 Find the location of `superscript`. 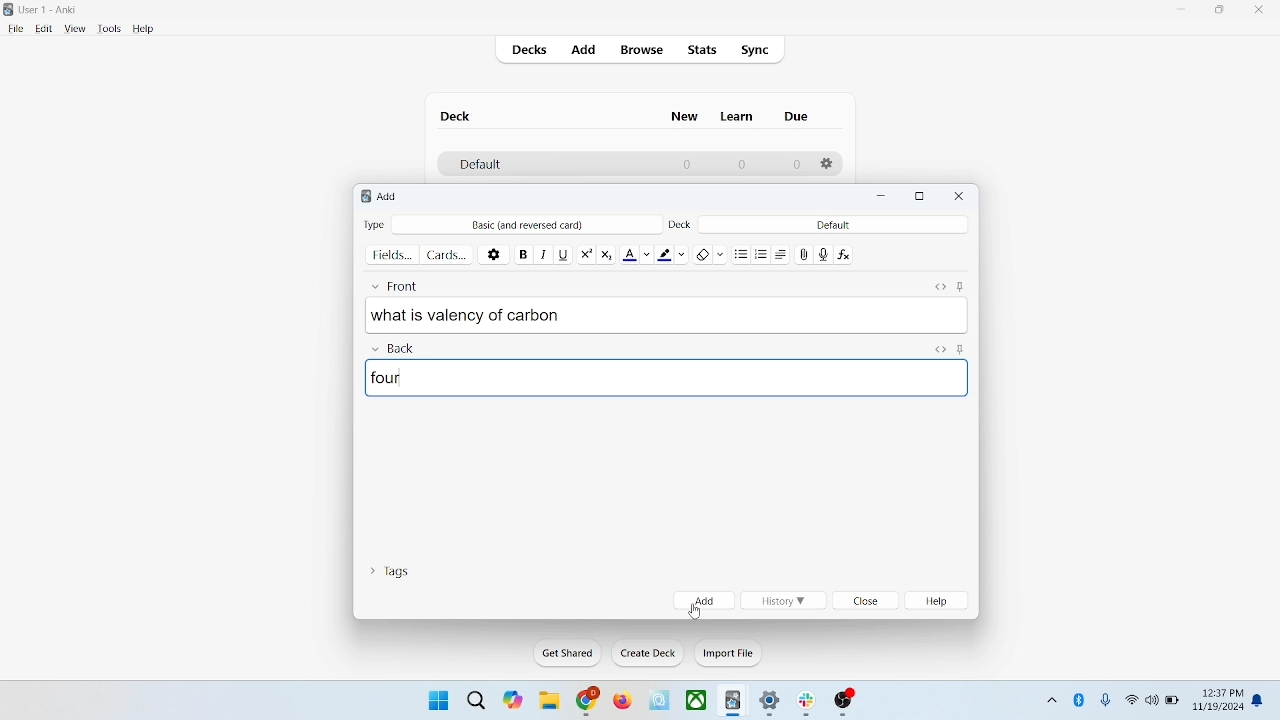

superscript is located at coordinates (586, 252).